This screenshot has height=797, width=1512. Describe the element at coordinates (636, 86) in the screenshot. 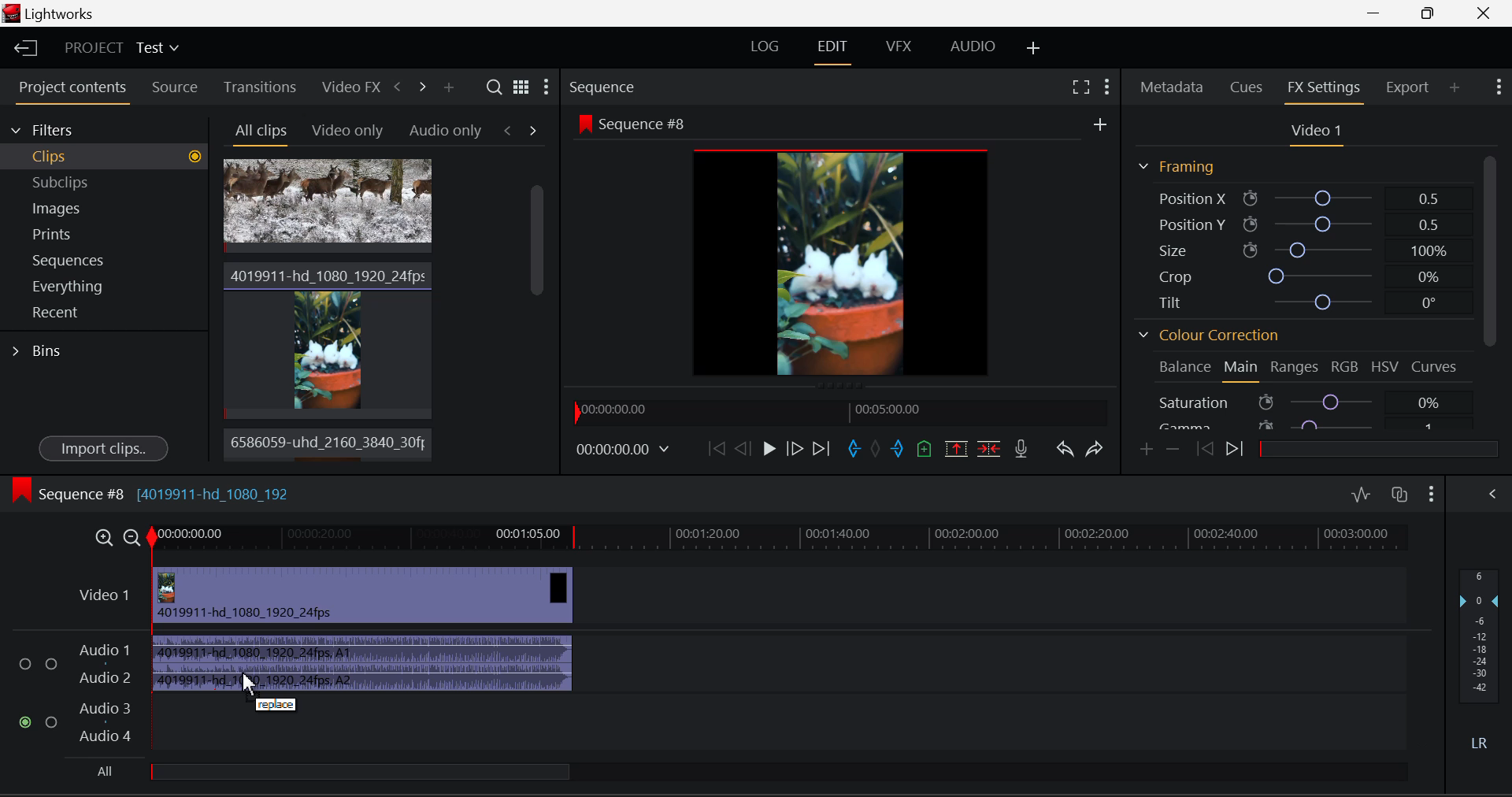

I see `Sequence Preview Section` at that location.